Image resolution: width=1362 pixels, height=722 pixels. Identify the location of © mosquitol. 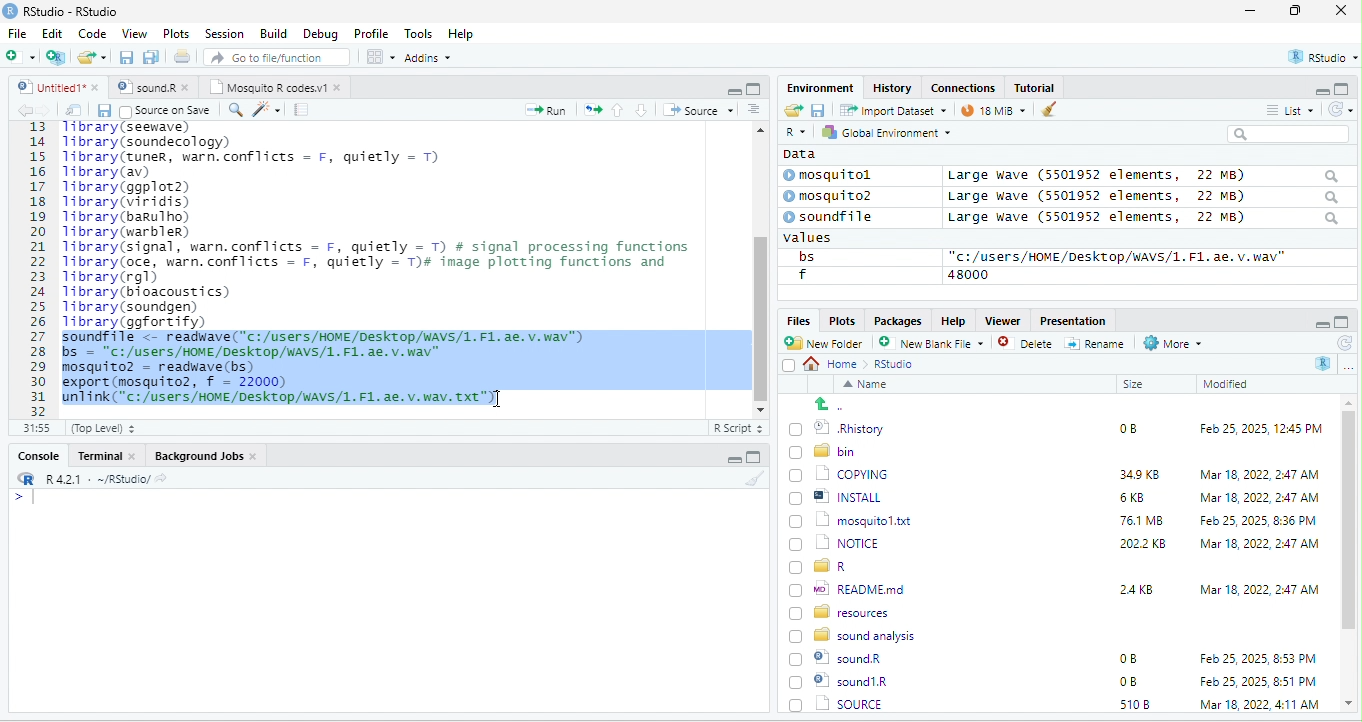
(842, 175).